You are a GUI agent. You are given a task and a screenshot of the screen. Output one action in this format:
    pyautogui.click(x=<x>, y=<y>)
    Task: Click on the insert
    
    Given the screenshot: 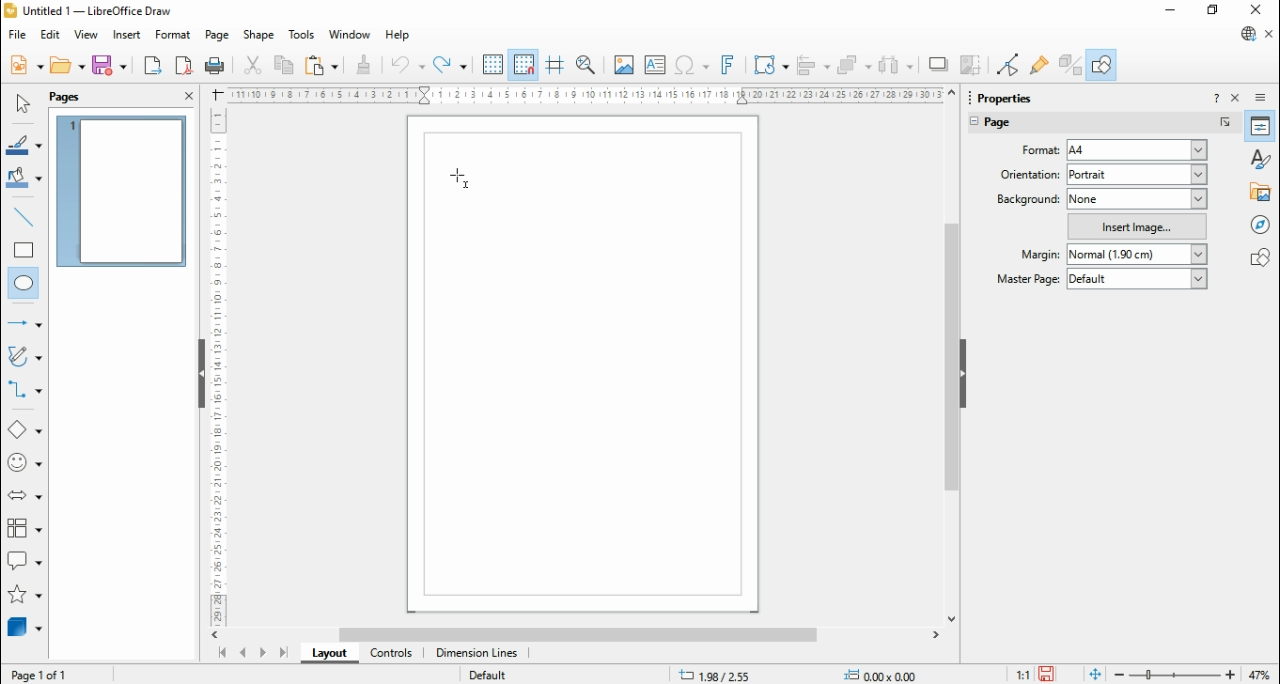 What is the action you would take?
    pyautogui.click(x=126, y=36)
    